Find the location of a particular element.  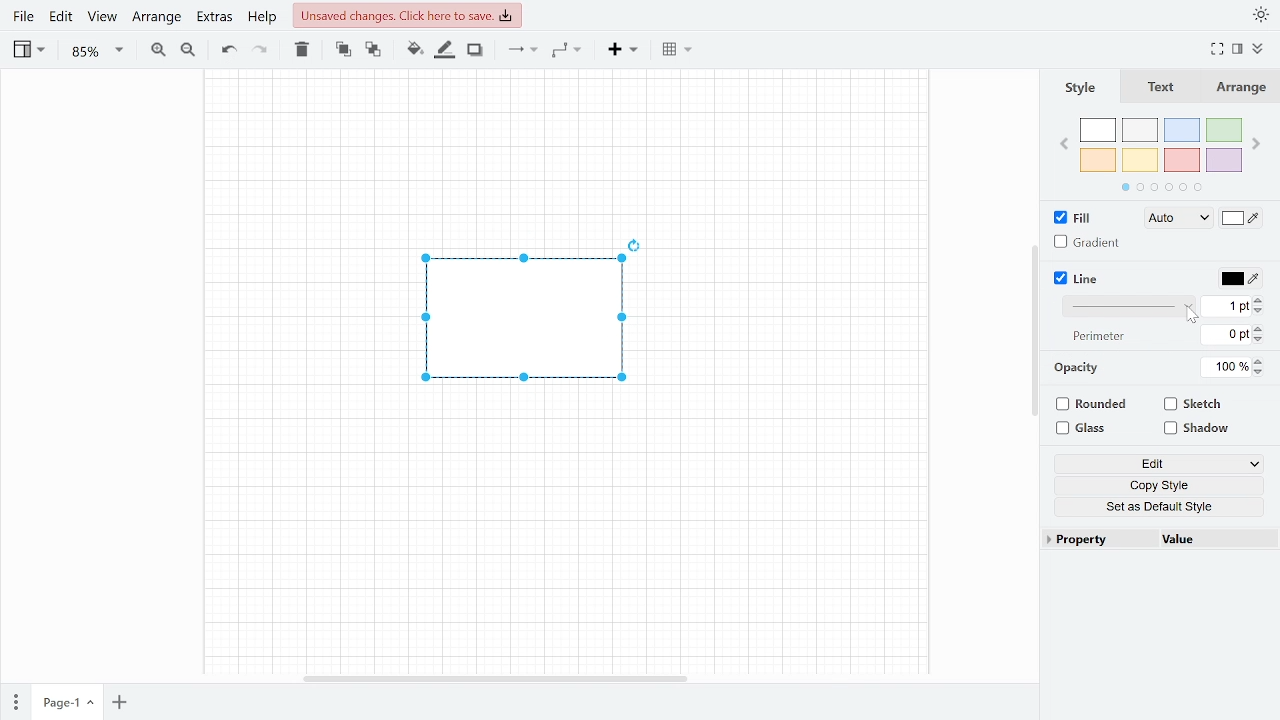

Add page is located at coordinates (118, 704).